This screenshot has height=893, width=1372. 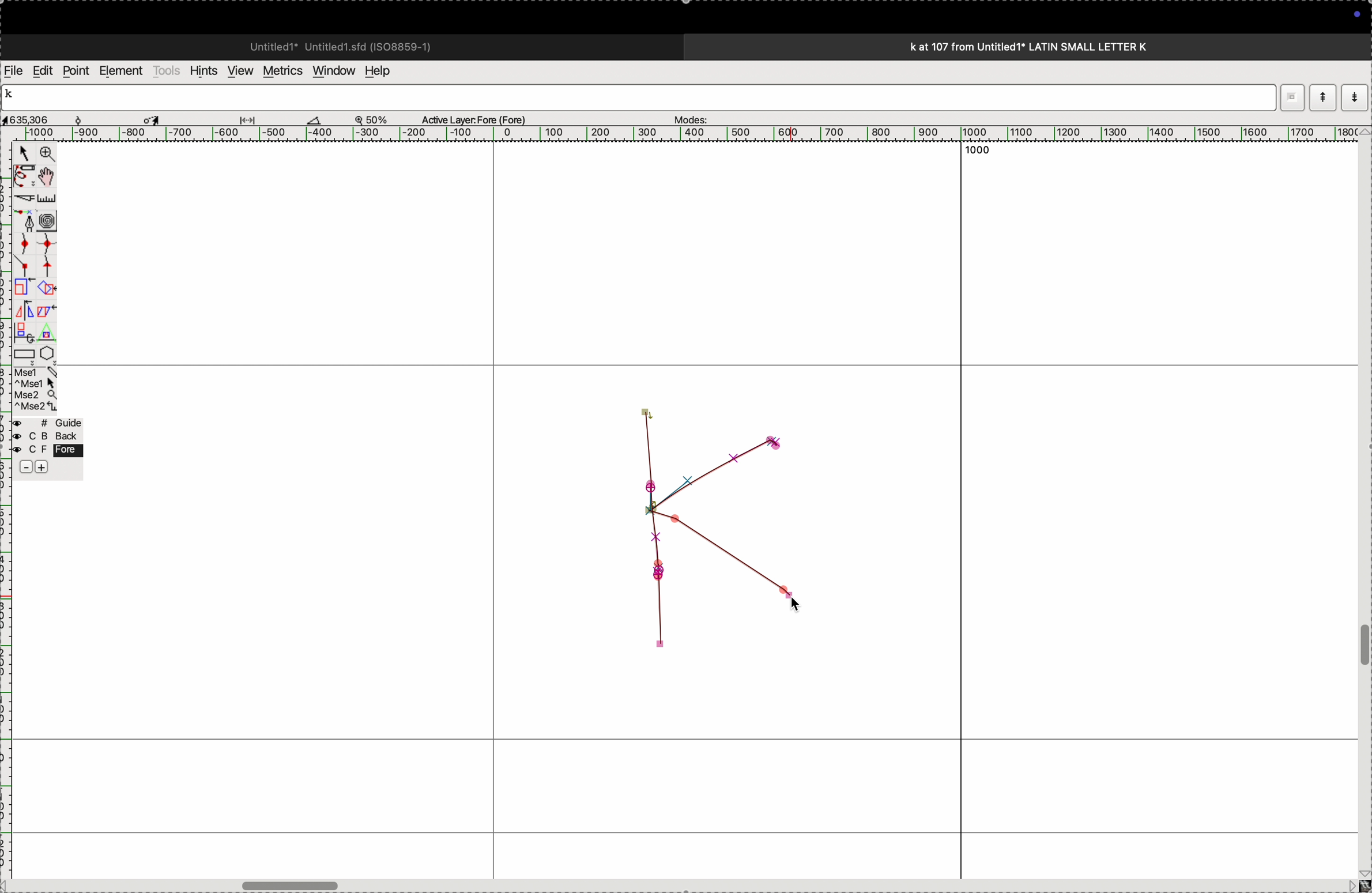 I want to click on K, so click(x=14, y=96).